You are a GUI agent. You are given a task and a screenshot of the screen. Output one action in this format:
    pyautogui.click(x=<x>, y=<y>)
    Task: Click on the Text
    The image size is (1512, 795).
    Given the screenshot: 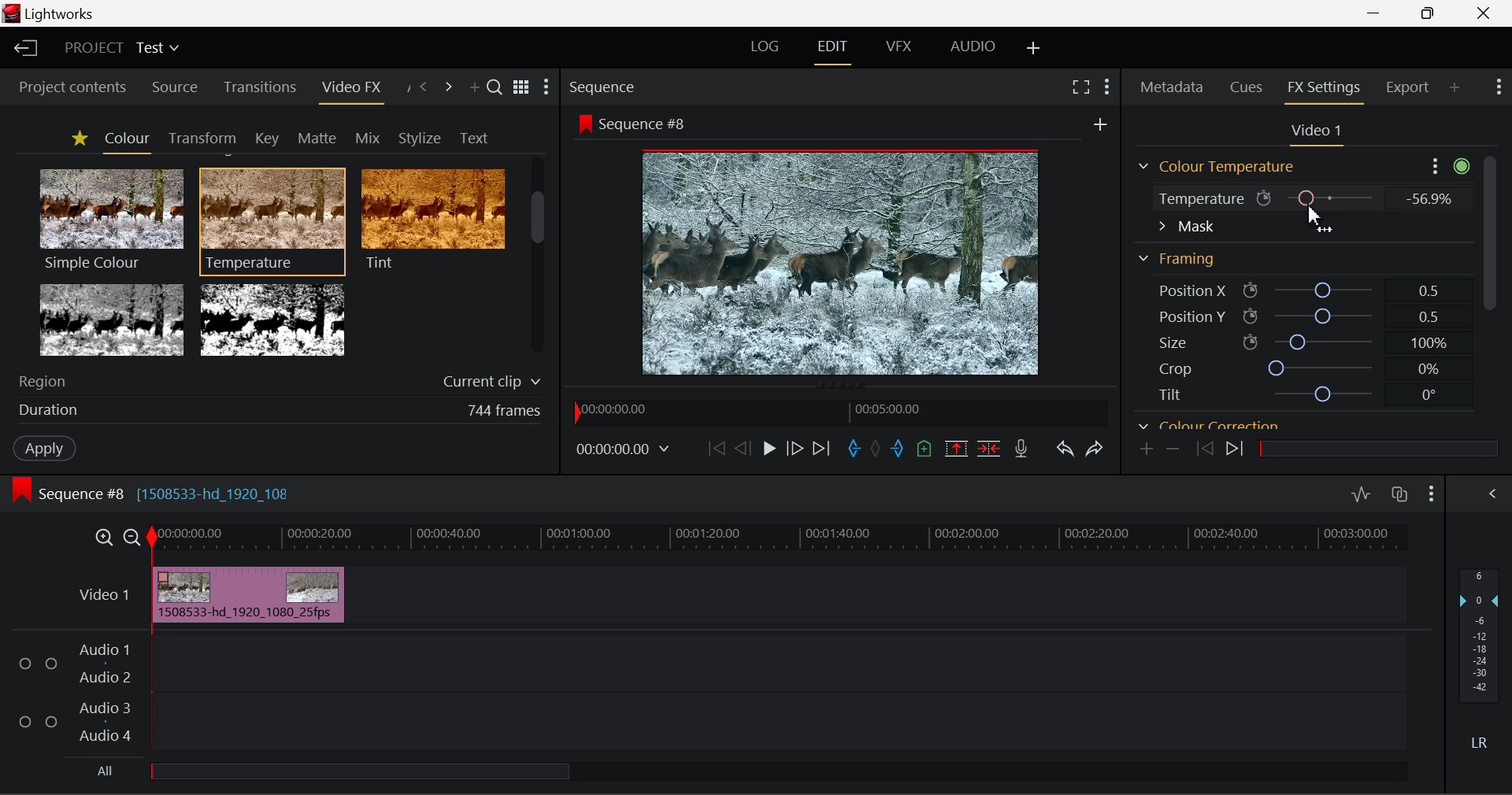 What is the action you would take?
    pyautogui.click(x=471, y=137)
    